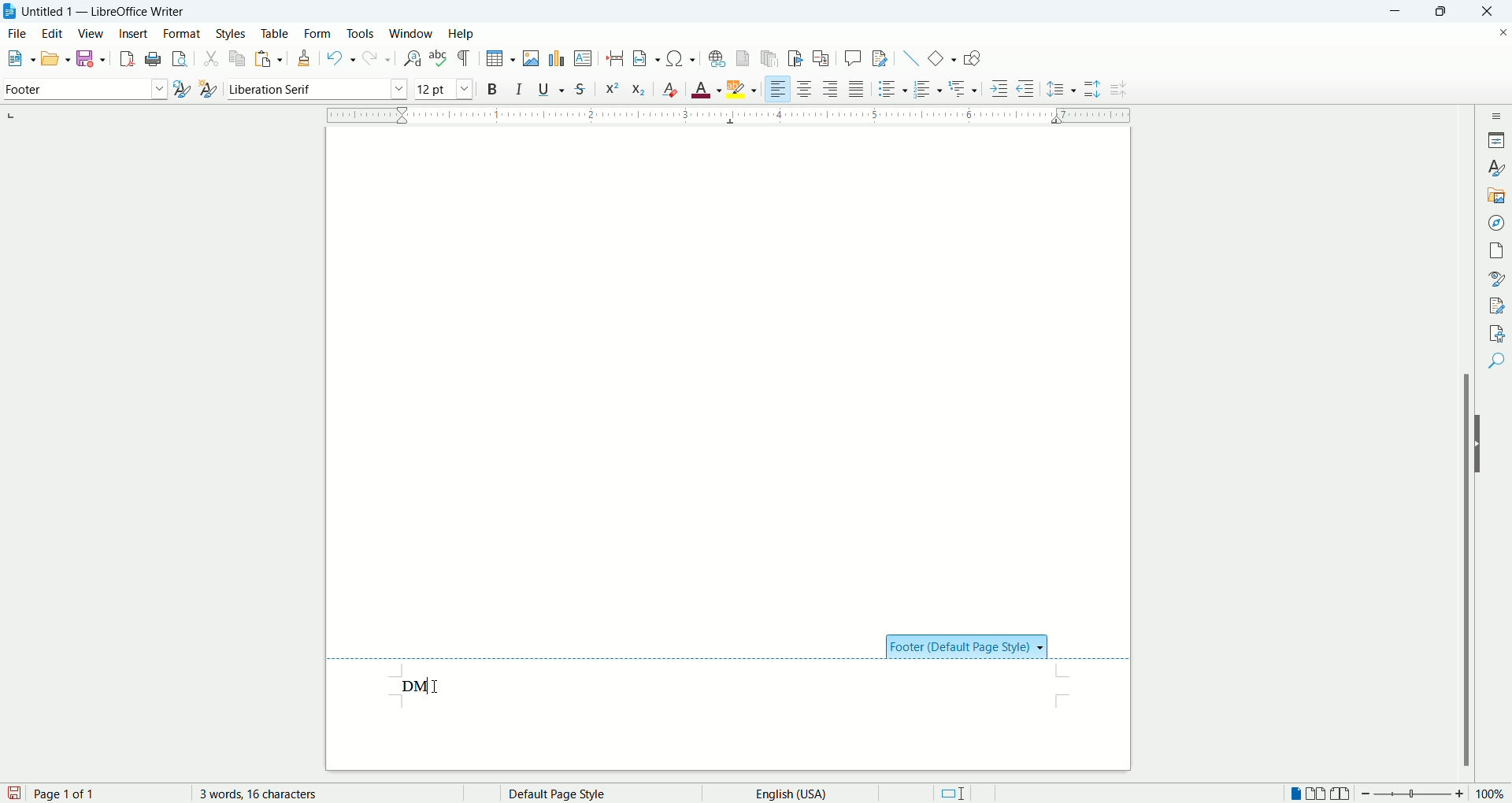 This screenshot has width=1512, height=803. Describe the element at coordinates (943, 57) in the screenshot. I see `insert basic shapes` at that location.